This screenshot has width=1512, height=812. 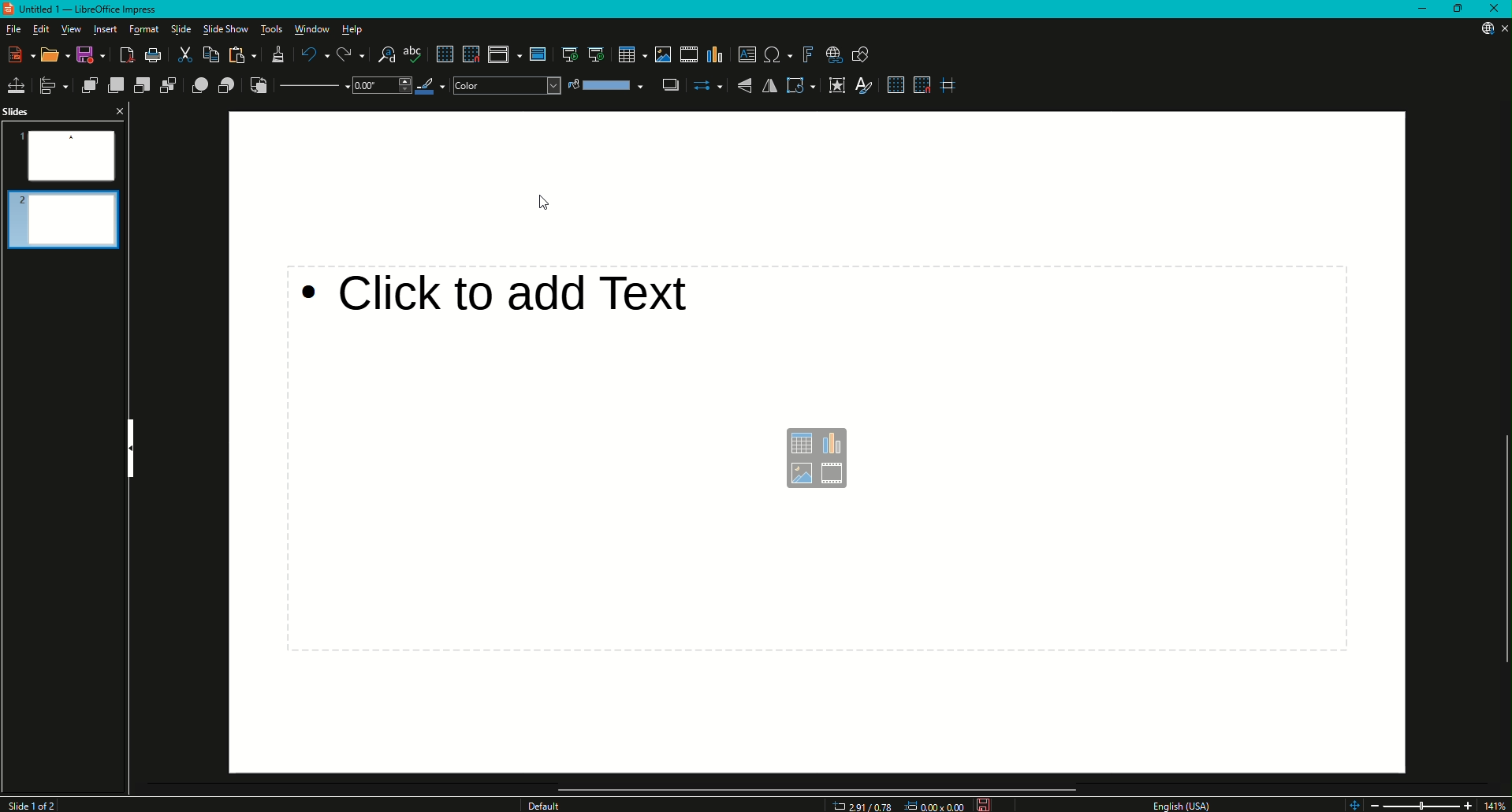 What do you see at coordinates (708, 88) in the screenshot?
I see `Select Start and End` at bounding box center [708, 88].